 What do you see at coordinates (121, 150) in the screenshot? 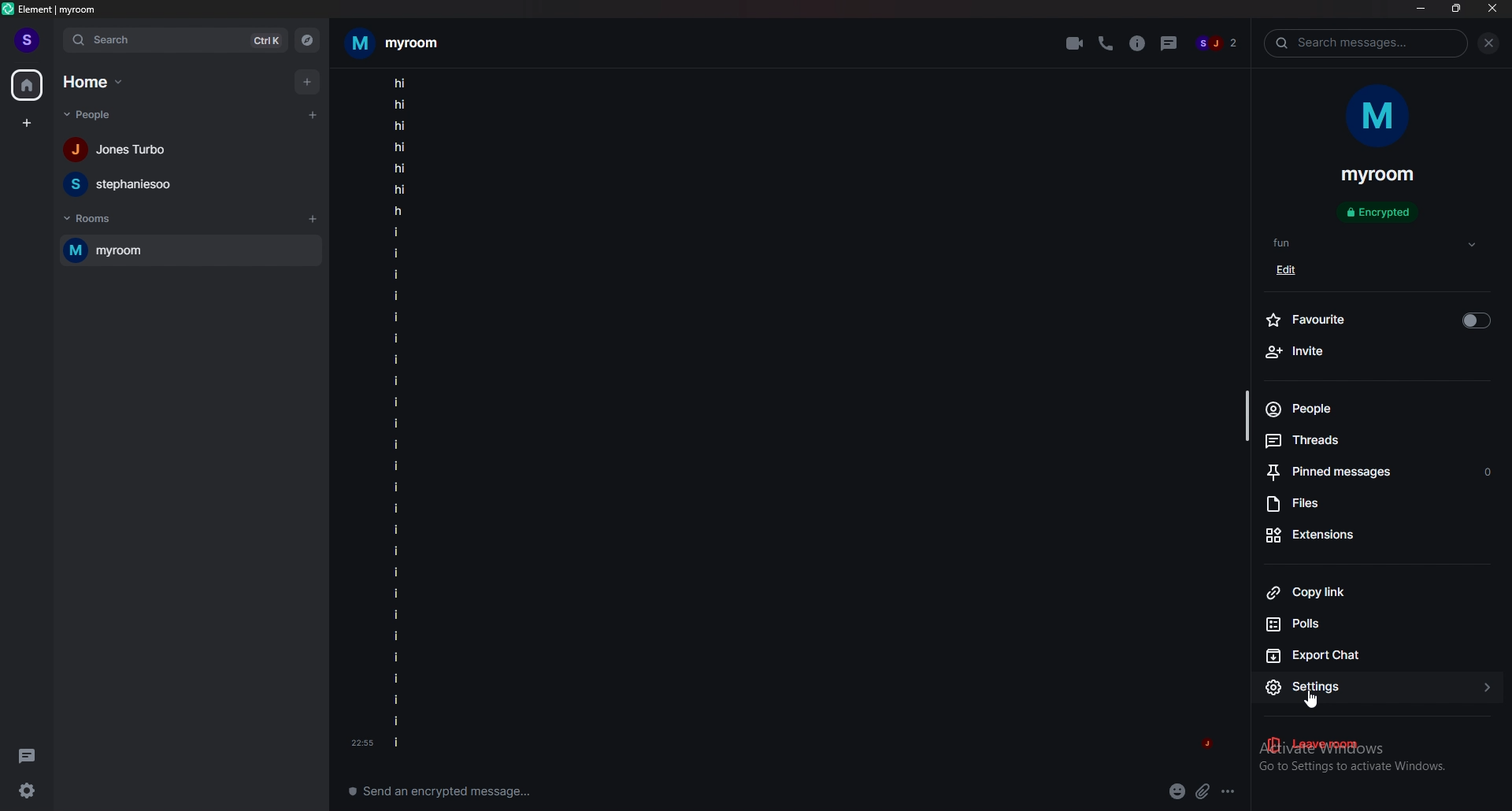
I see `people` at bounding box center [121, 150].